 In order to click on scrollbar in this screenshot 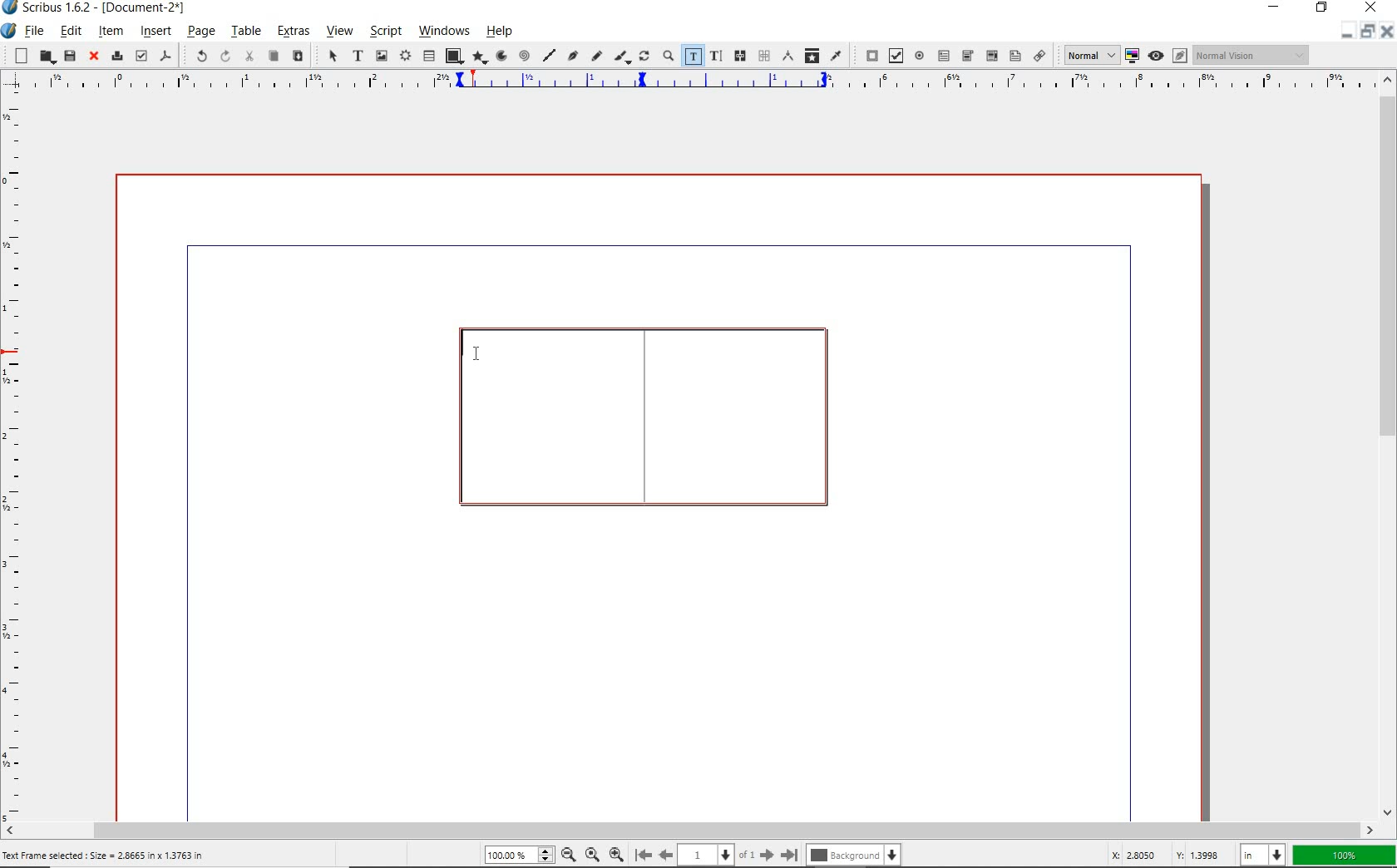, I will do `click(1389, 446)`.